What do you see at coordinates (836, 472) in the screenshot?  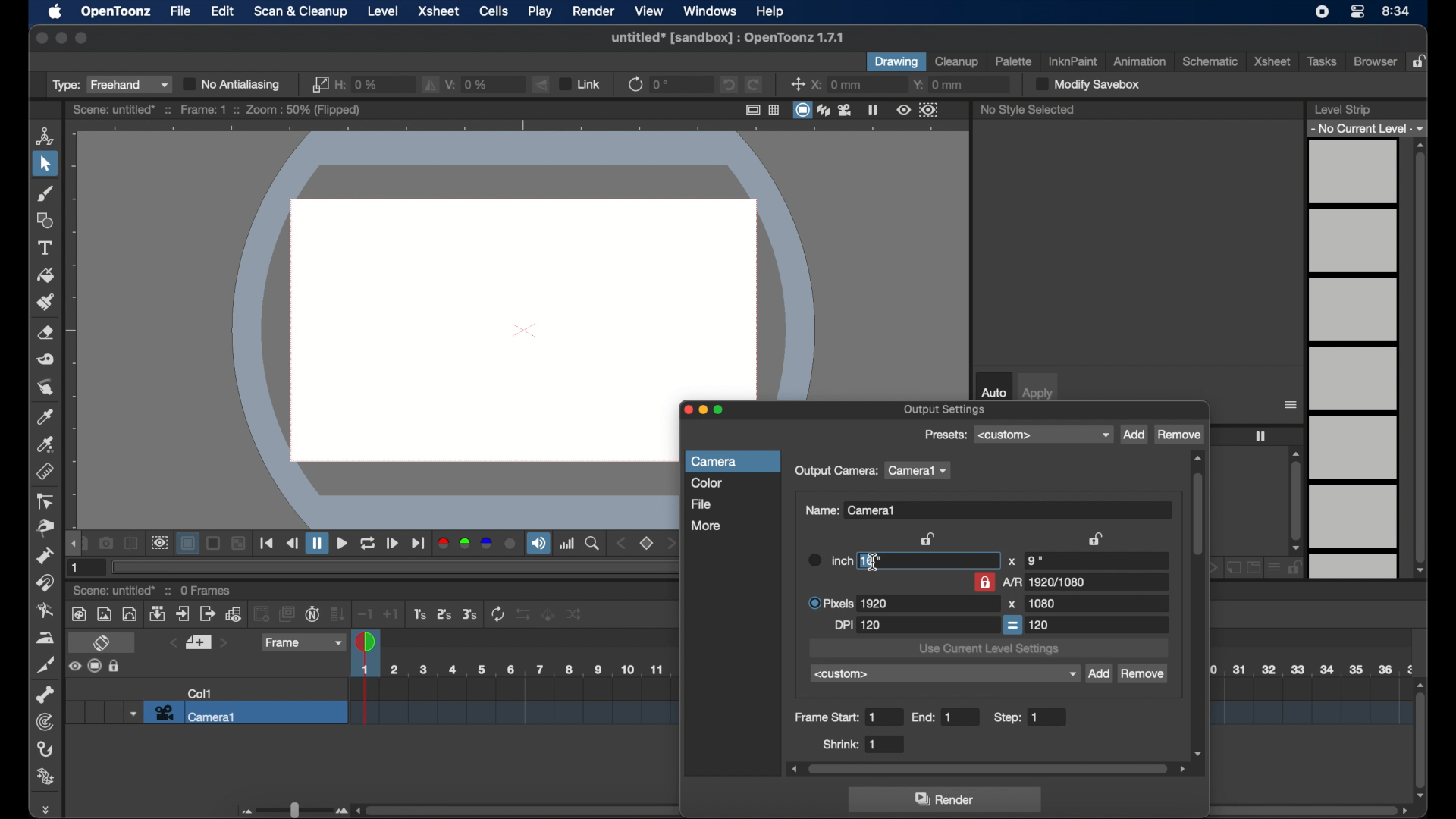 I see `output camera` at bounding box center [836, 472].